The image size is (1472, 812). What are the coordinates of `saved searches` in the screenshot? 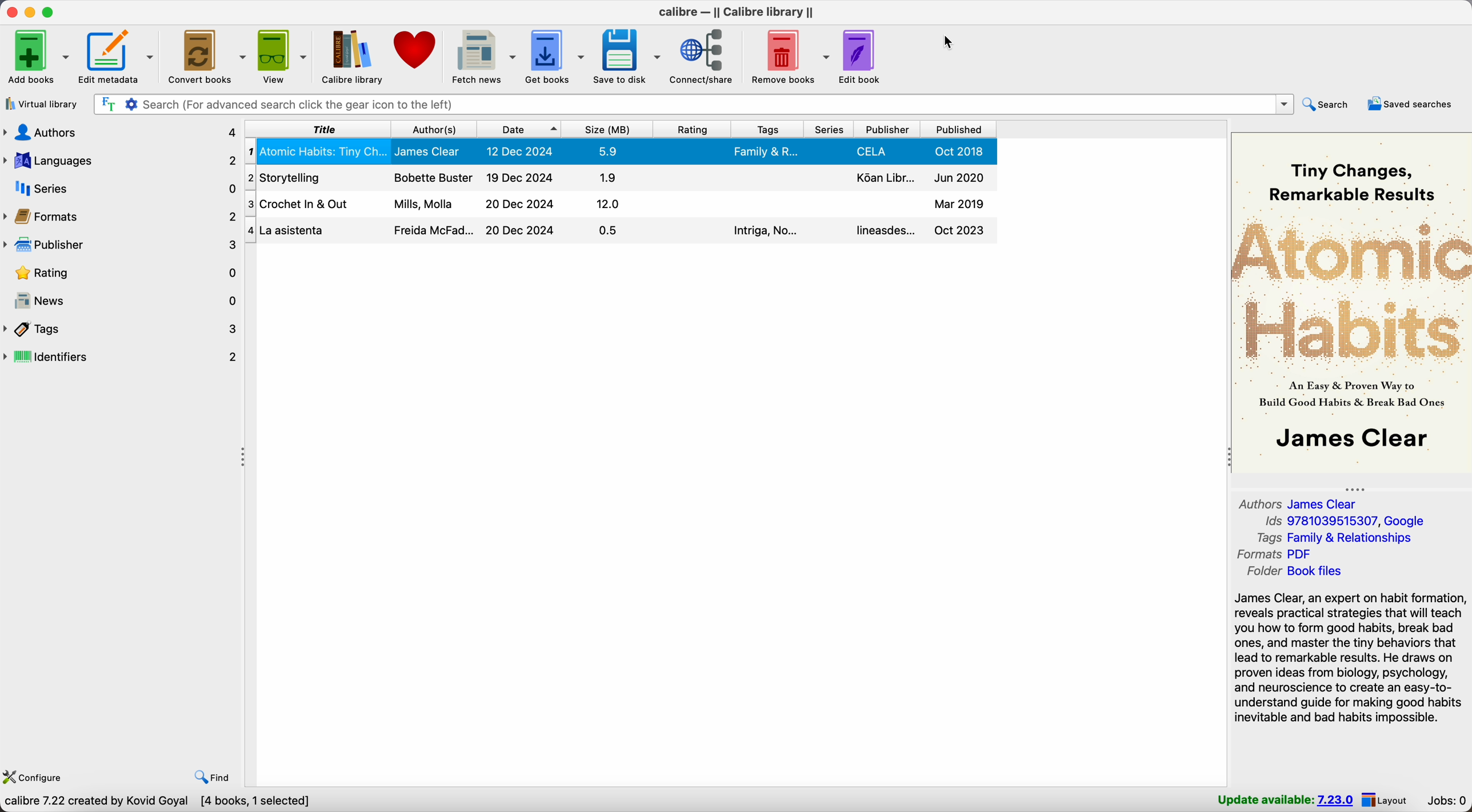 It's located at (1410, 103).